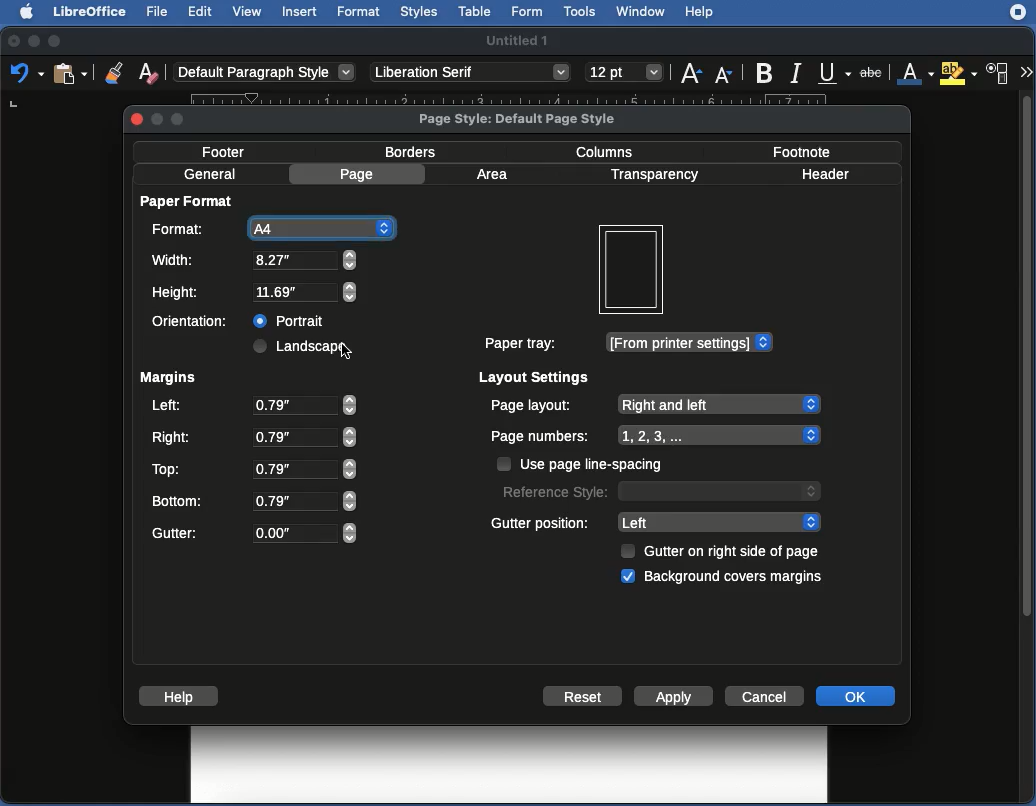 The width and height of the screenshot is (1036, 806). What do you see at coordinates (704, 12) in the screenshot?
I see `Help` at bounding box center [704, 12].